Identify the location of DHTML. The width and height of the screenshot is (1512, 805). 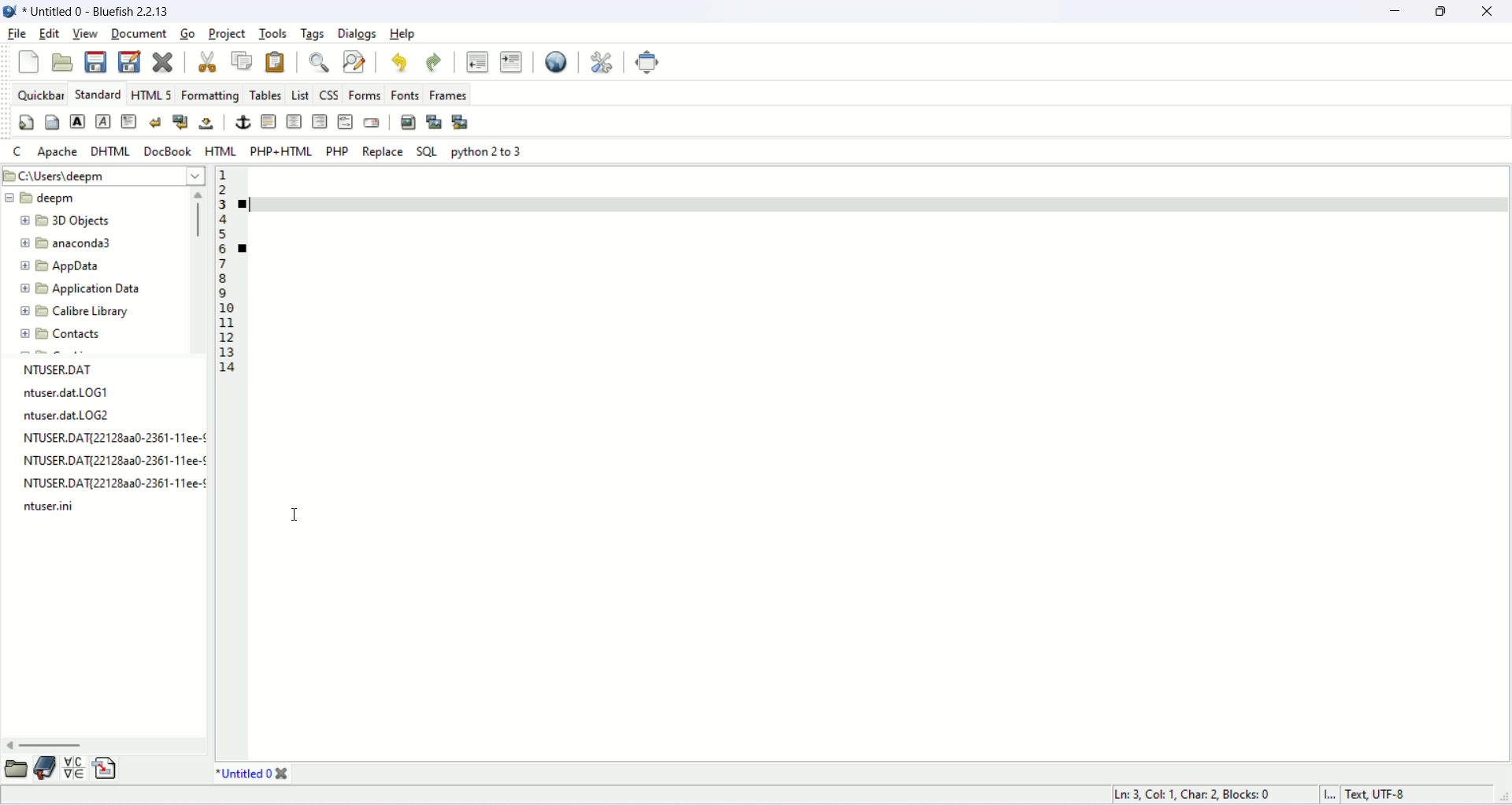
(112, 152).